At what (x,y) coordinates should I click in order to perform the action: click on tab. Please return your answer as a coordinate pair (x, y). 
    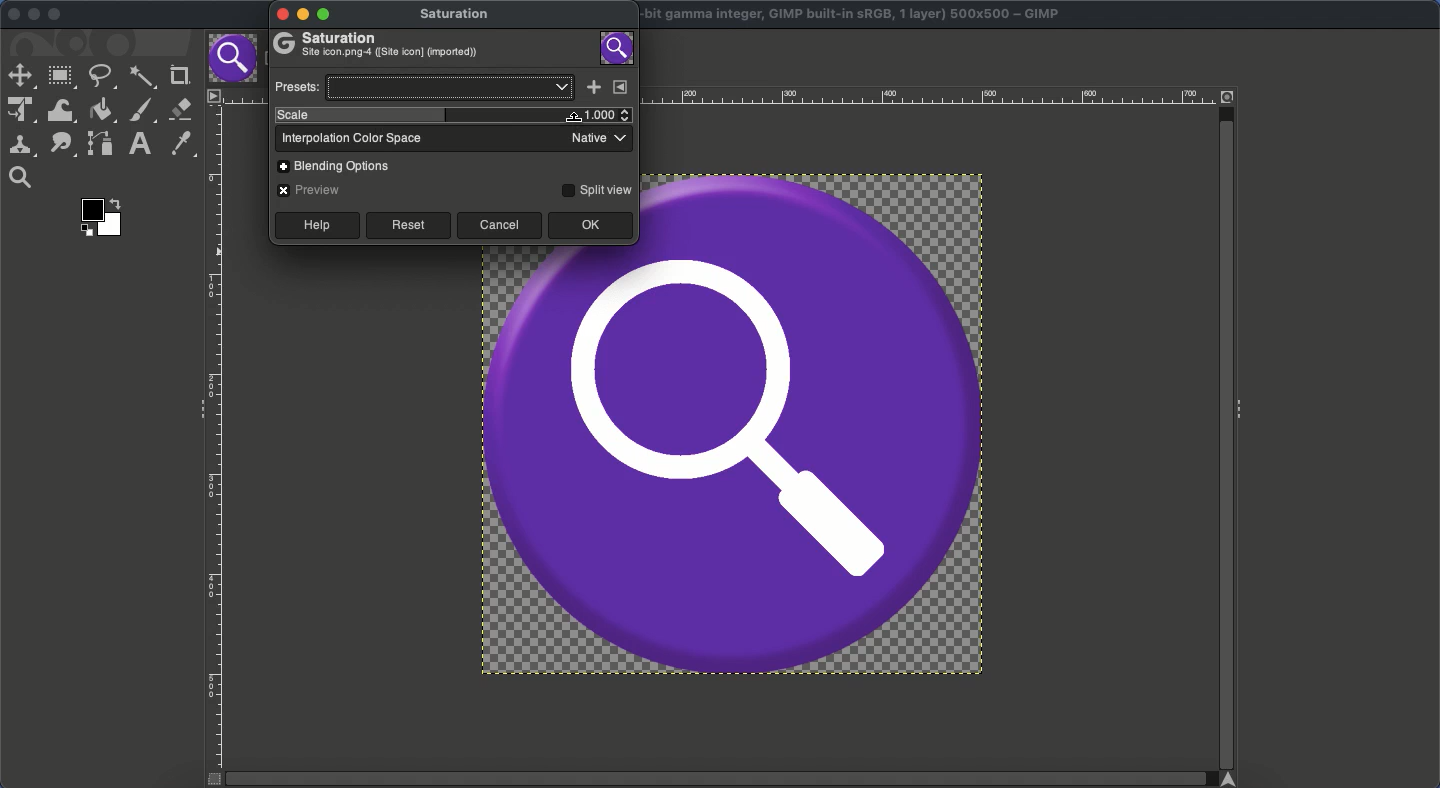
    Looking at the image, I should click on (235, 59).